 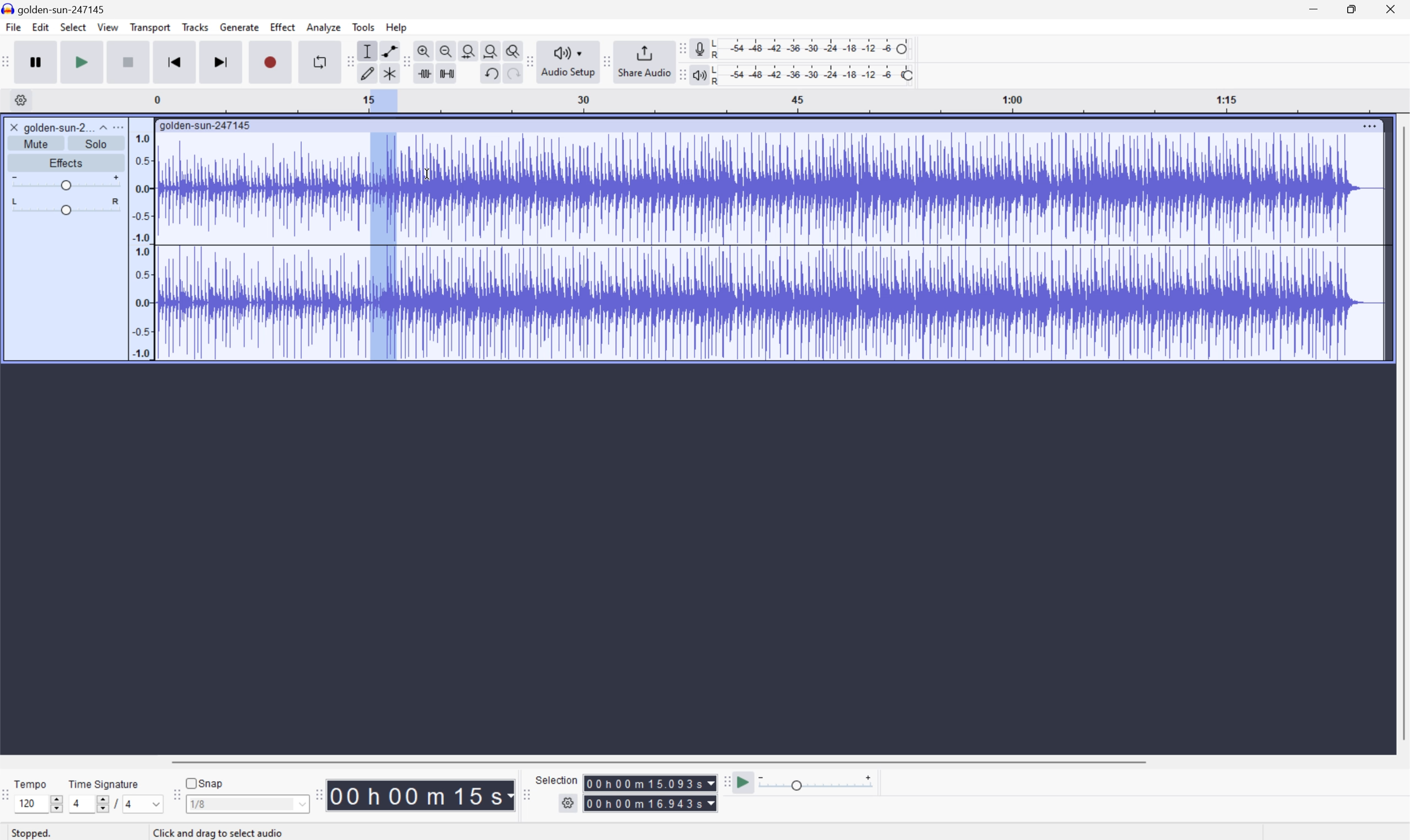 What do you see at coordinates (55, 128) in the screenshot?
I see `` at bounding box center [55, 128].